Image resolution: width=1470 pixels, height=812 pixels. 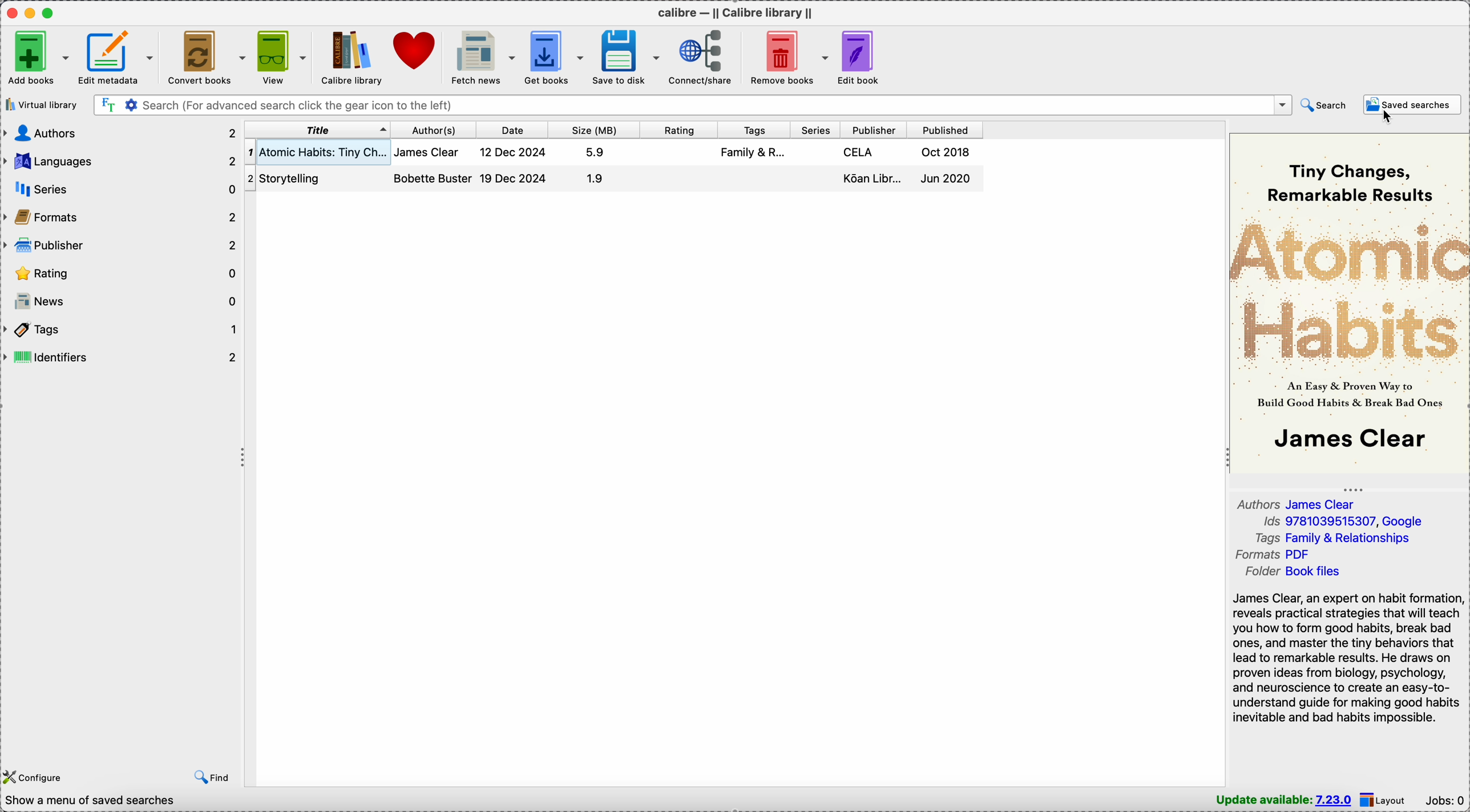 I want to click on convert books, so click(x=205, y=57).